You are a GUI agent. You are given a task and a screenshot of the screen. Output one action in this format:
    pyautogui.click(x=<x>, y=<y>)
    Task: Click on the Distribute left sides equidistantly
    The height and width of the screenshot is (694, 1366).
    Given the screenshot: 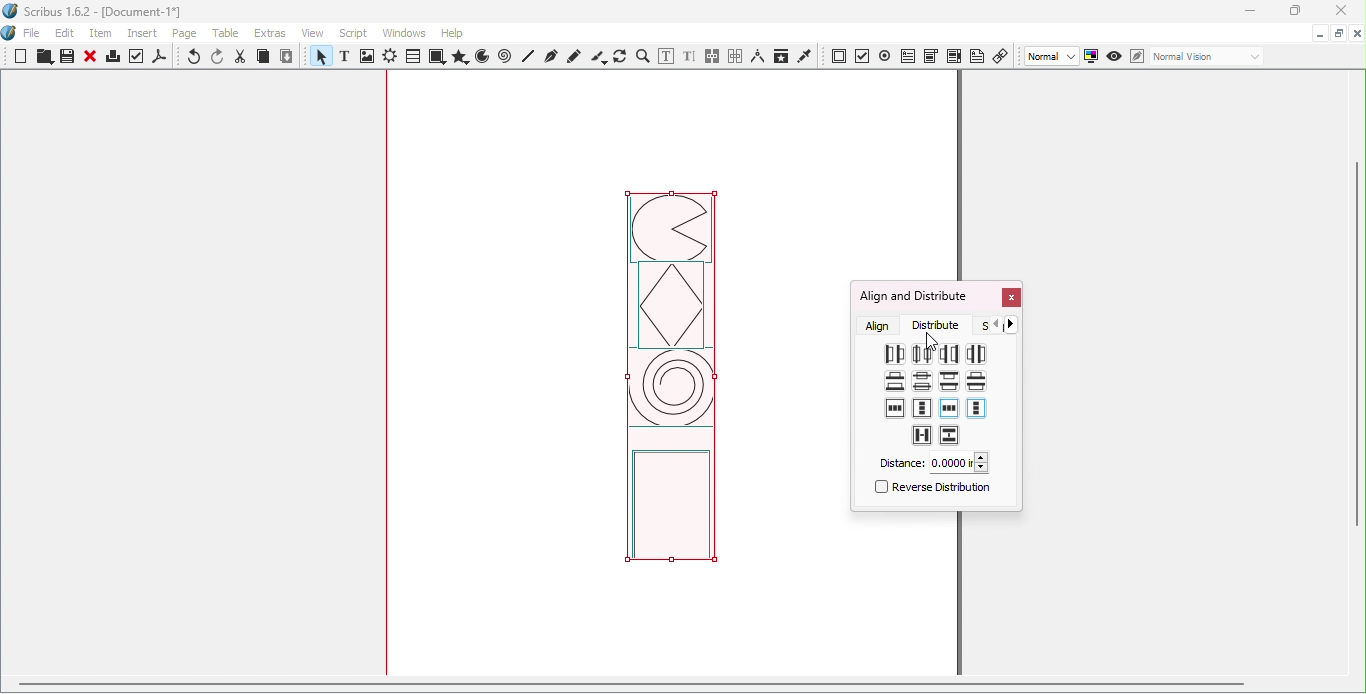 What is the action you would take?
    pyautogui.click(x=893, y=355)
    